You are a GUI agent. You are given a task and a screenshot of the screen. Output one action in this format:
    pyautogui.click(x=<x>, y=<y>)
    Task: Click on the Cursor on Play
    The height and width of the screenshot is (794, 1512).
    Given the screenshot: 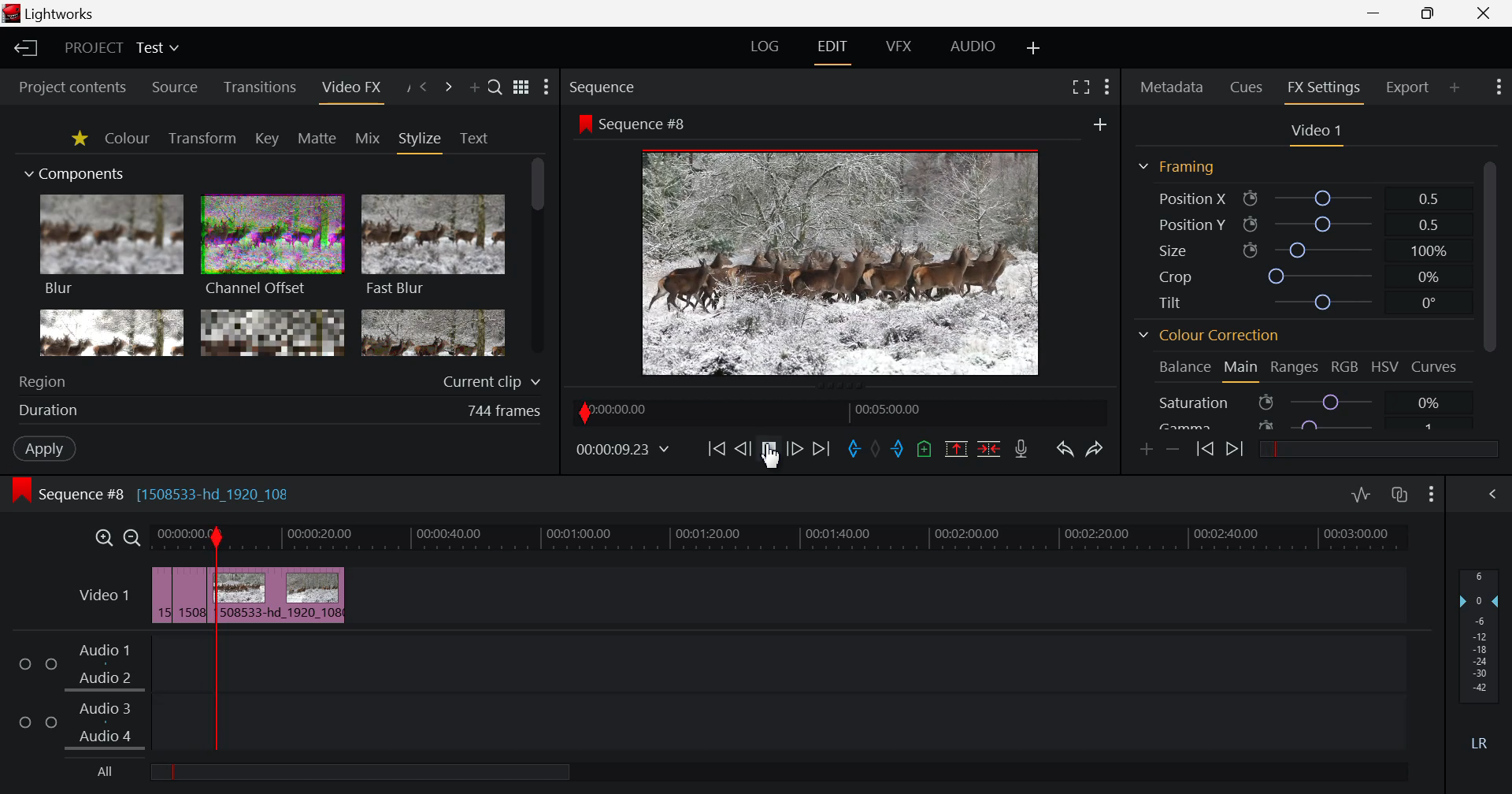 What is the action you would take?
    pyautogui.click(x=769, y=449)
    